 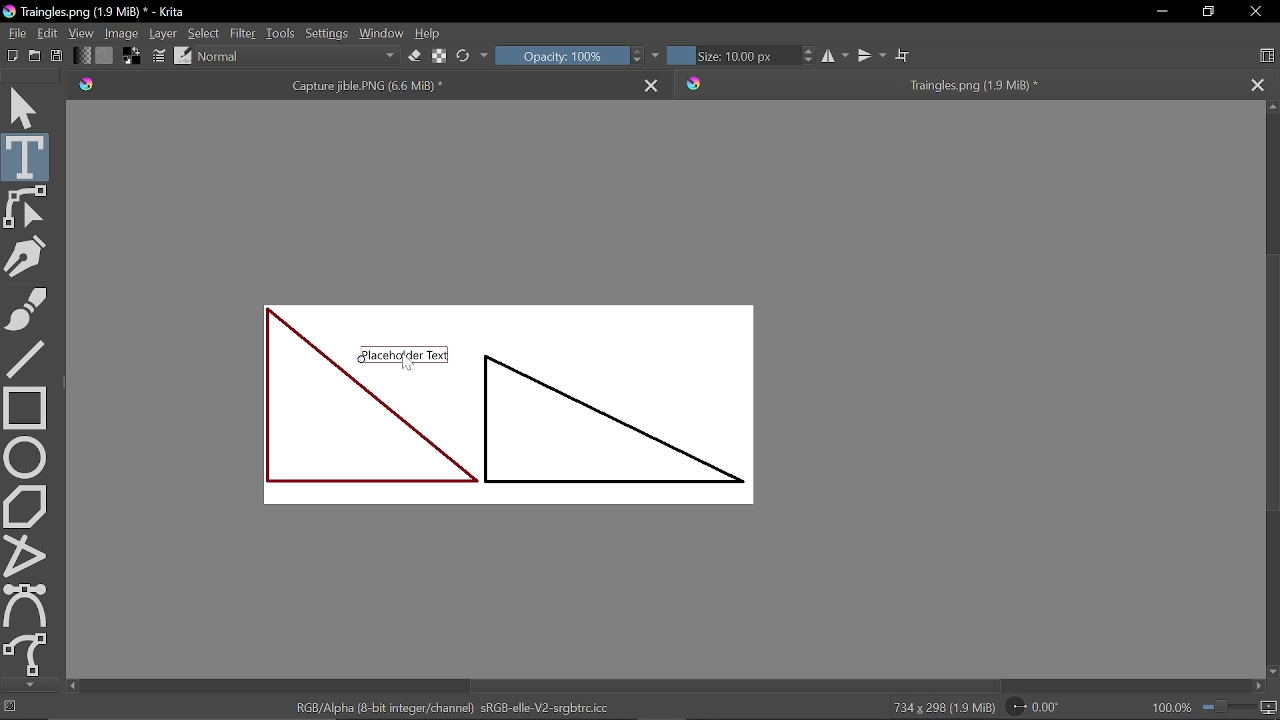 What do you see at coordinates (28, 653) in the screenshot?
I see `Freehand path tool` at bounding box center [28, 653].